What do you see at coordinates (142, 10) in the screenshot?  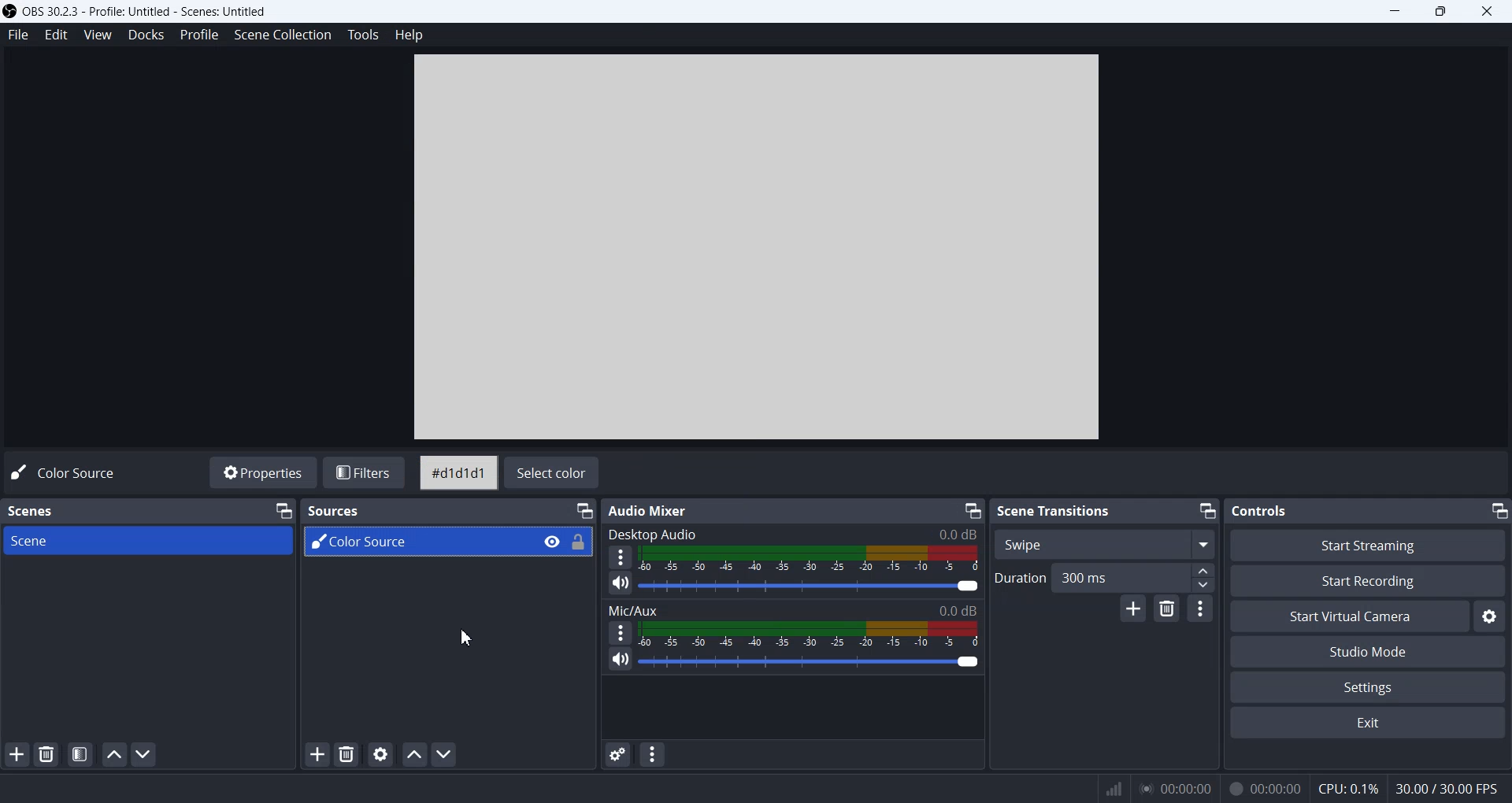 I see `) OBS 30.2.3 - Profile: Untitled - Scenes: Untitled` at bounding box center [142, 10].